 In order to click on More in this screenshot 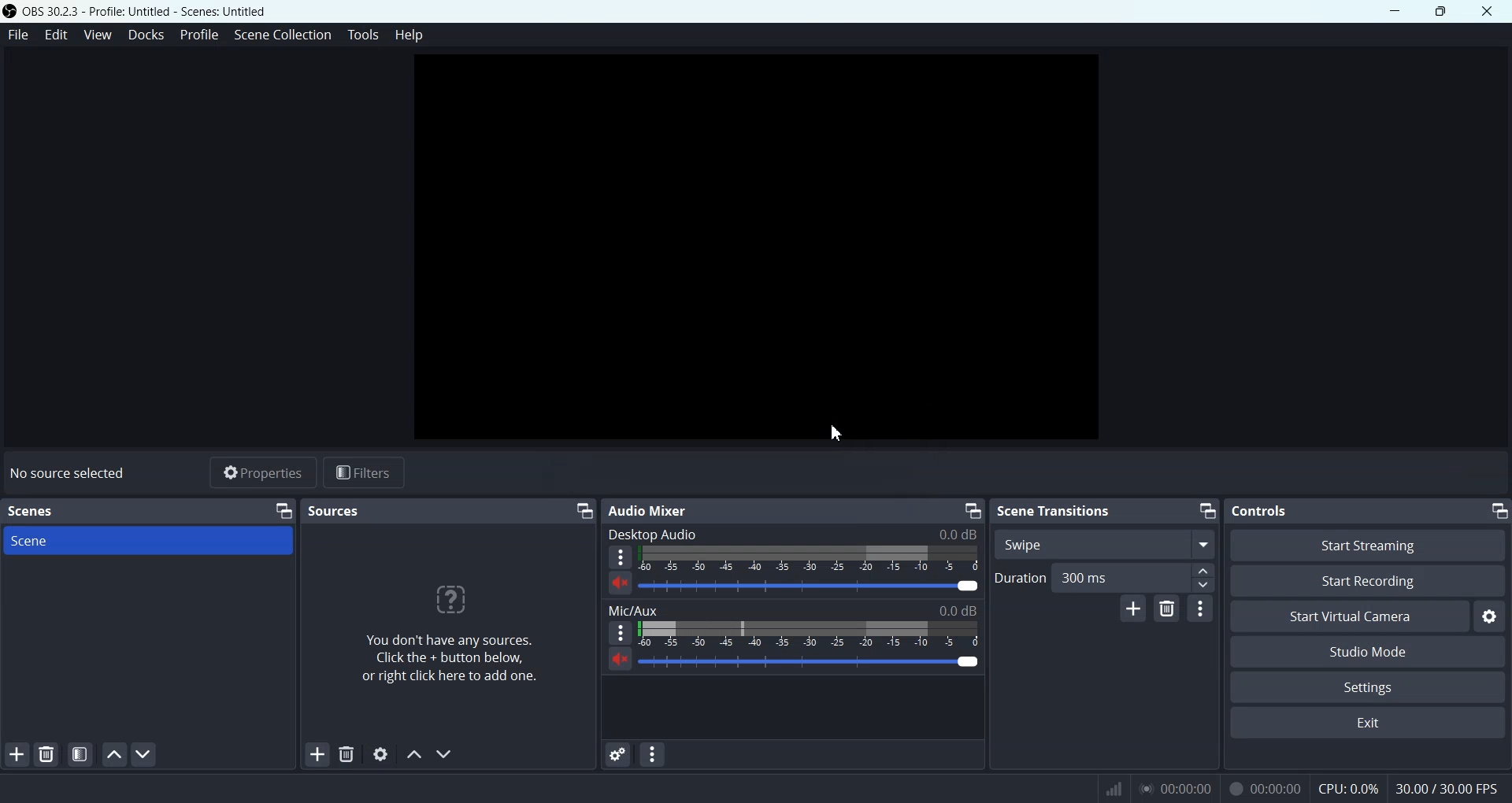, I will do `click(621, 632)`.